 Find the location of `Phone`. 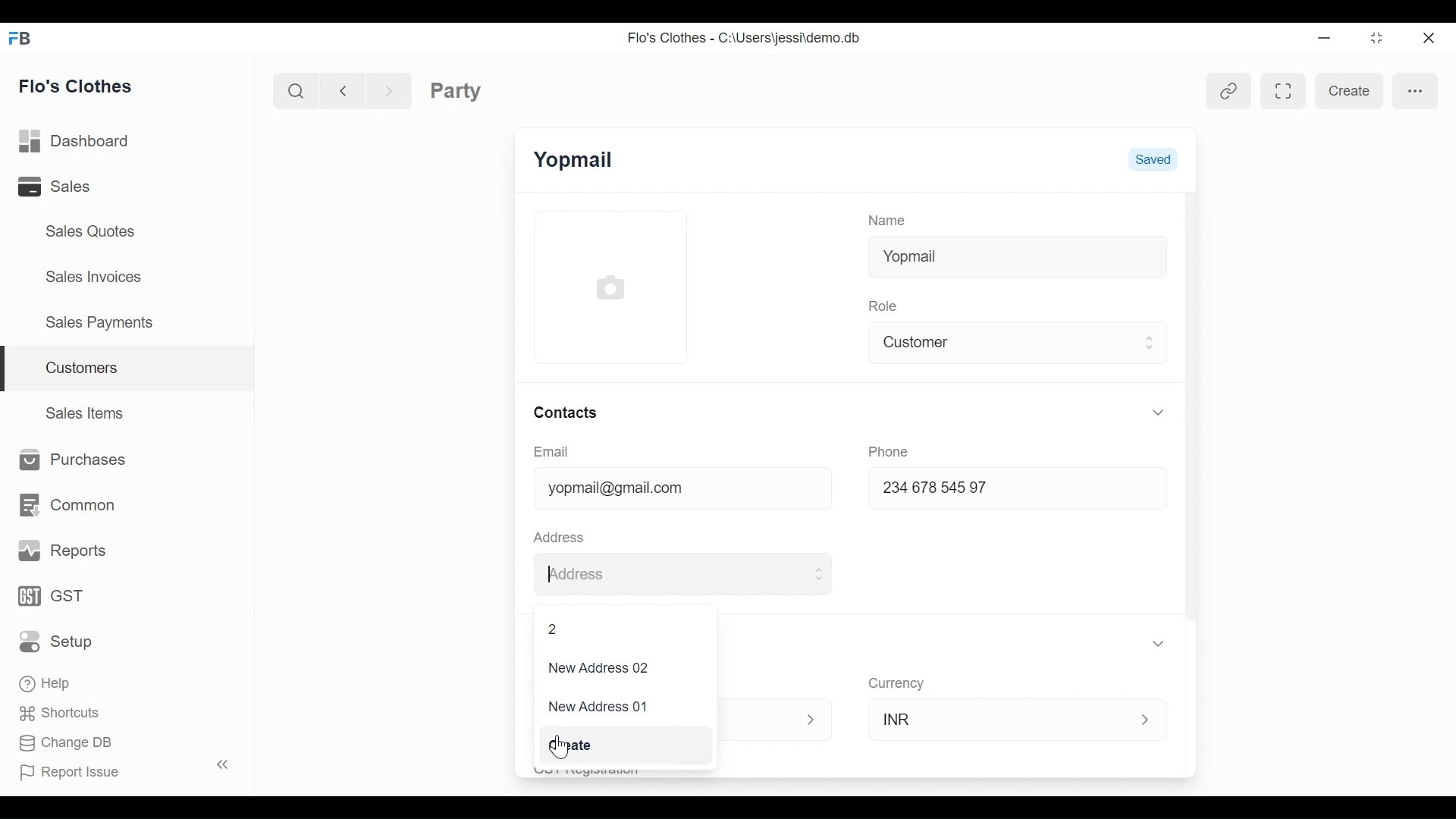

Phone is located at coordinates (889, 450).